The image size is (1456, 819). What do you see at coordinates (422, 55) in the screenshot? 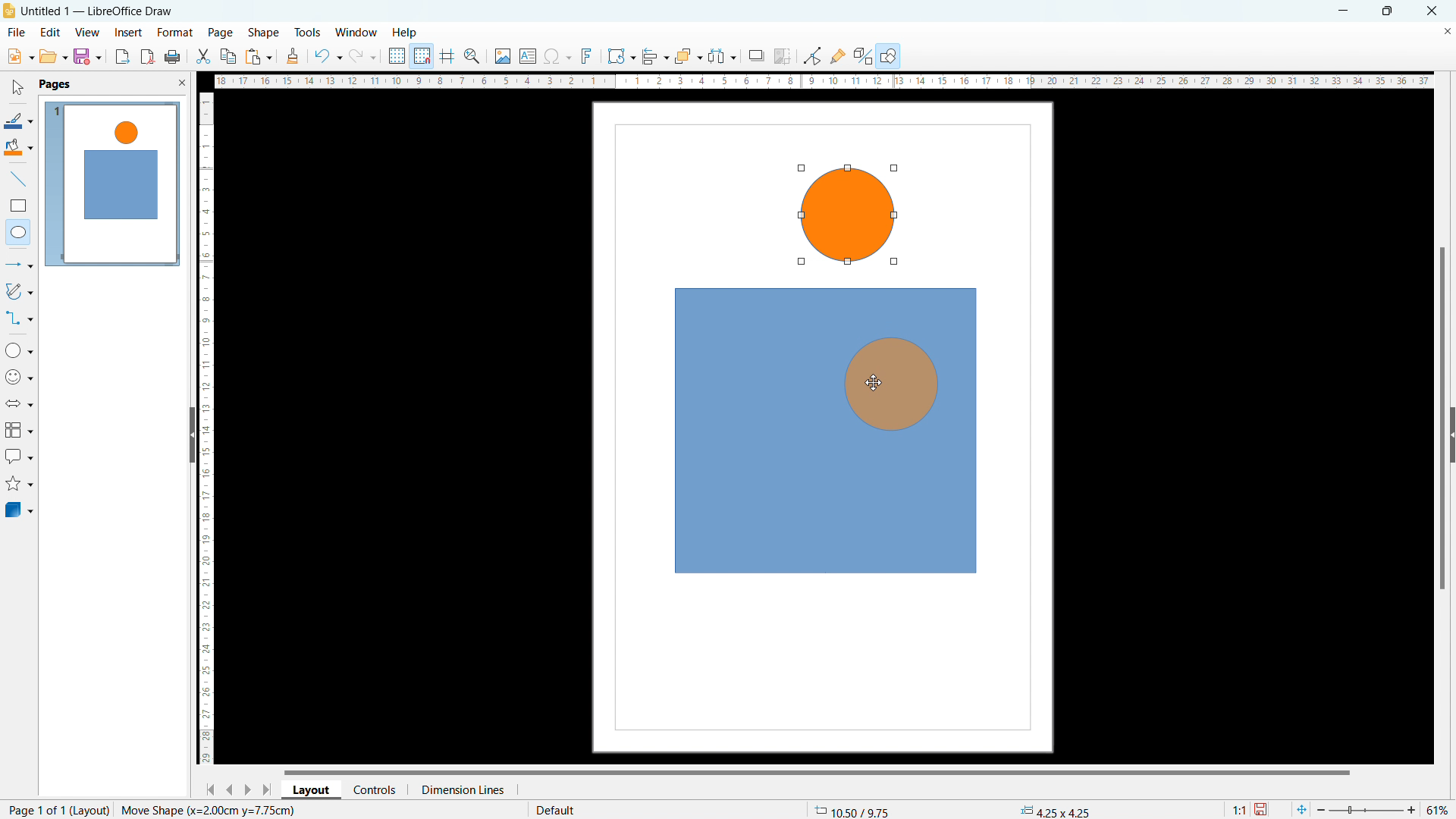
I see `snap to grid` at bounding box center [422, 55].